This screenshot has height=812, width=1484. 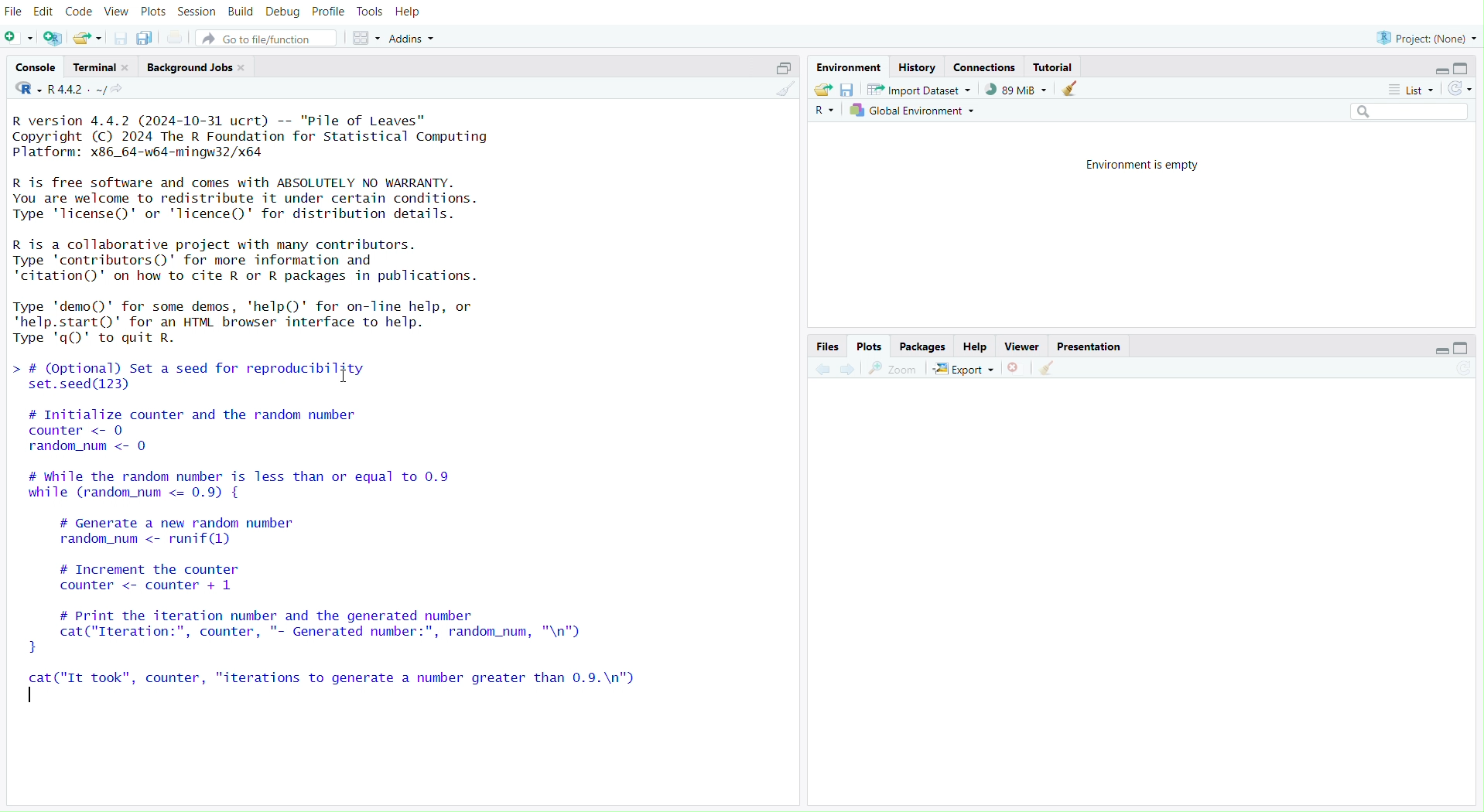 I want to click on Files, so click(x=829, y=345).